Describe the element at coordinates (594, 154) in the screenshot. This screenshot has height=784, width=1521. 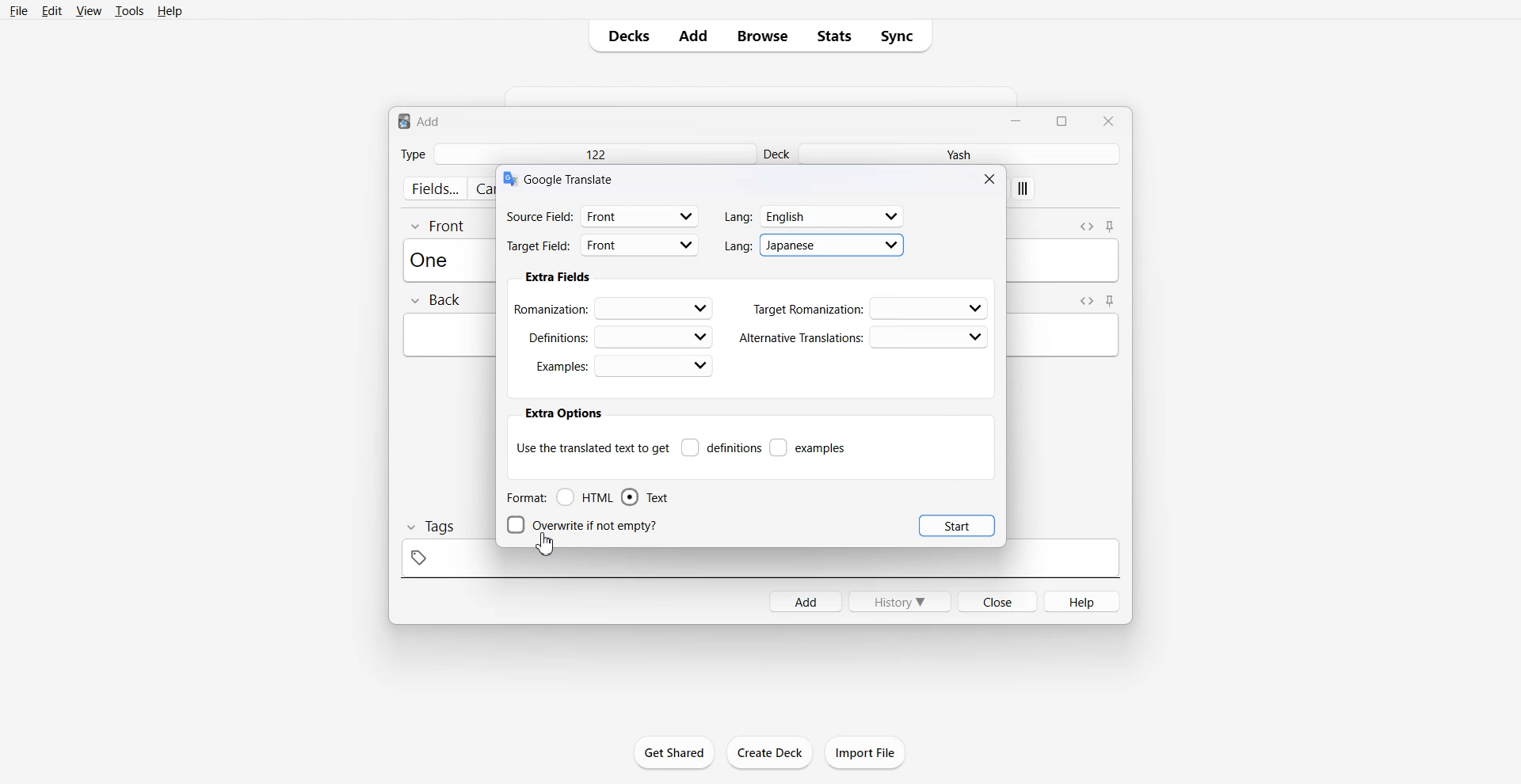
I see `122` at that location.